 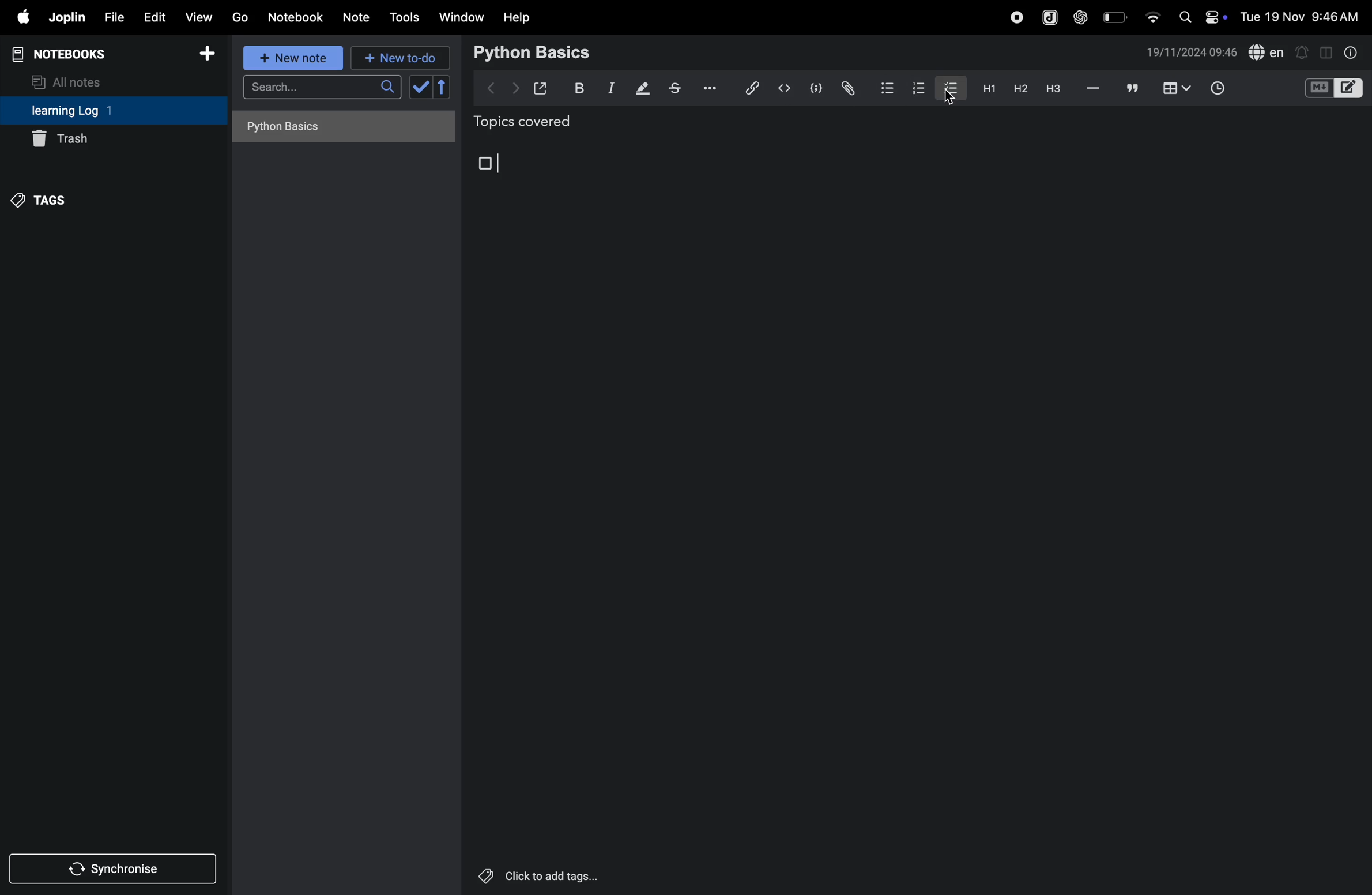 What do you see at coordinates (395, 55) in the screenshot?
I see `new to do` at bounding box center [395, 55].